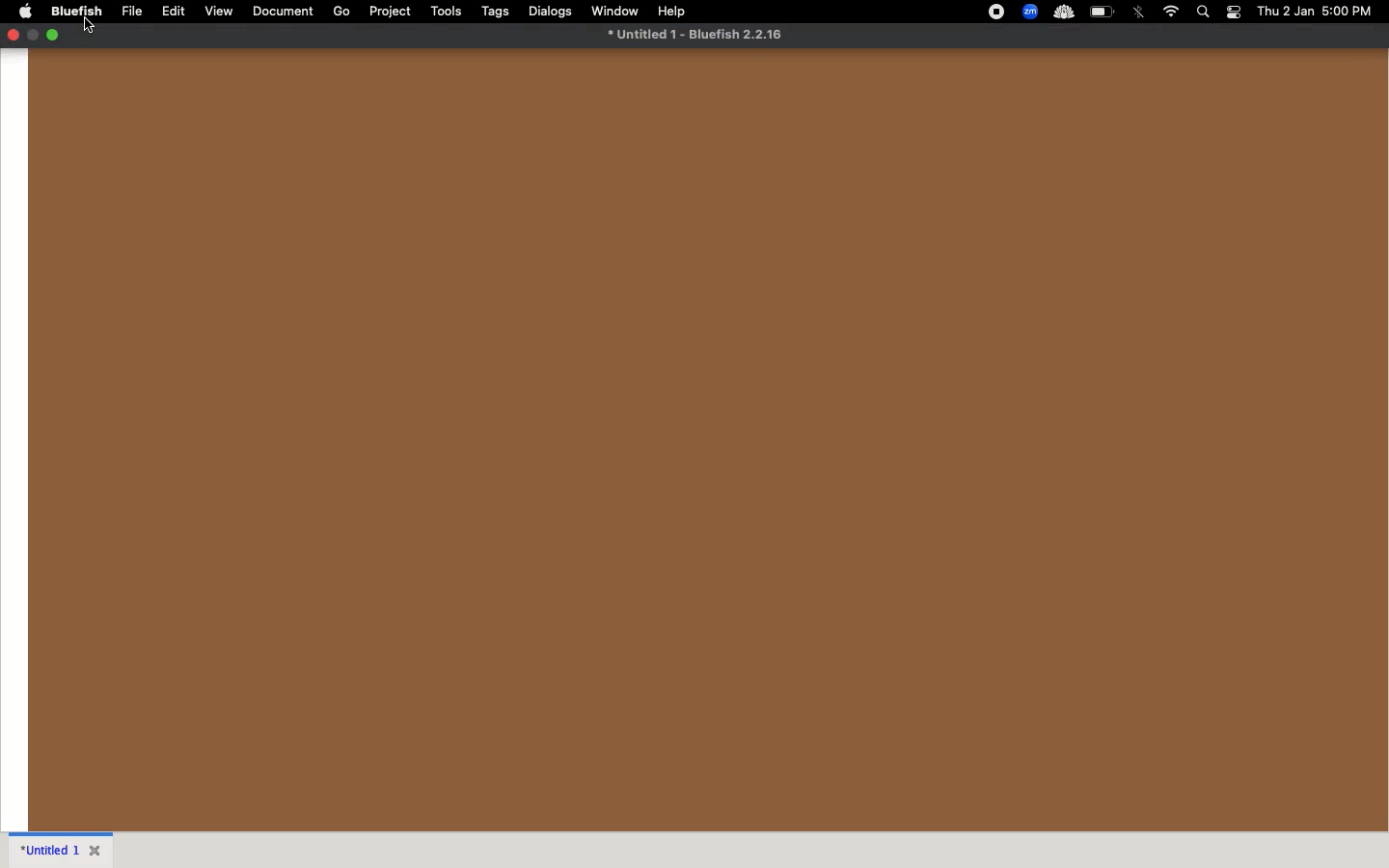  What do you see at coordinates (51, 852) in the screenshot?
I see `untitled 1` at bounding box center [51, 852].